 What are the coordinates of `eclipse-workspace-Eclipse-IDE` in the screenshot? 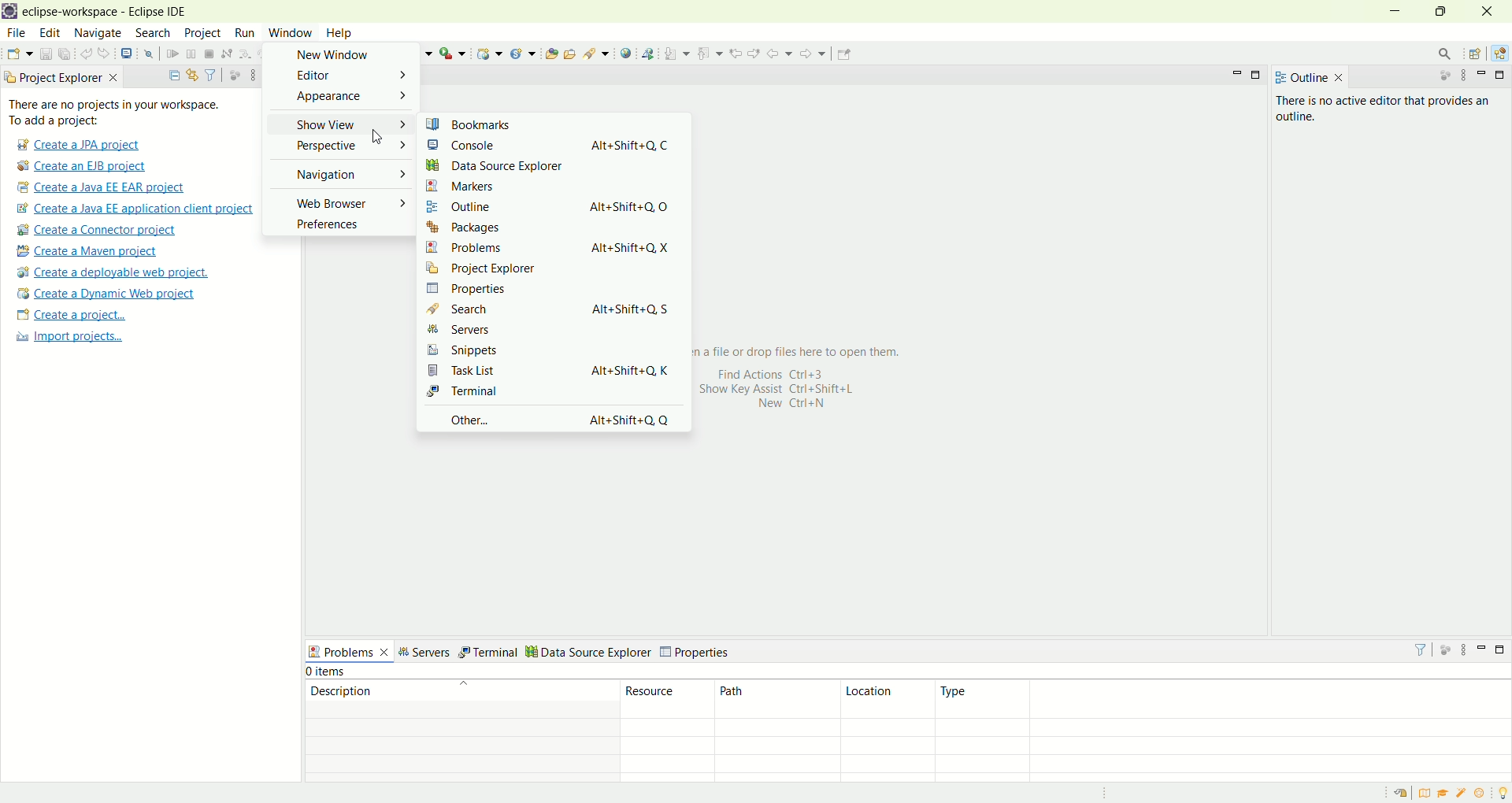 It's located at (112, 16).